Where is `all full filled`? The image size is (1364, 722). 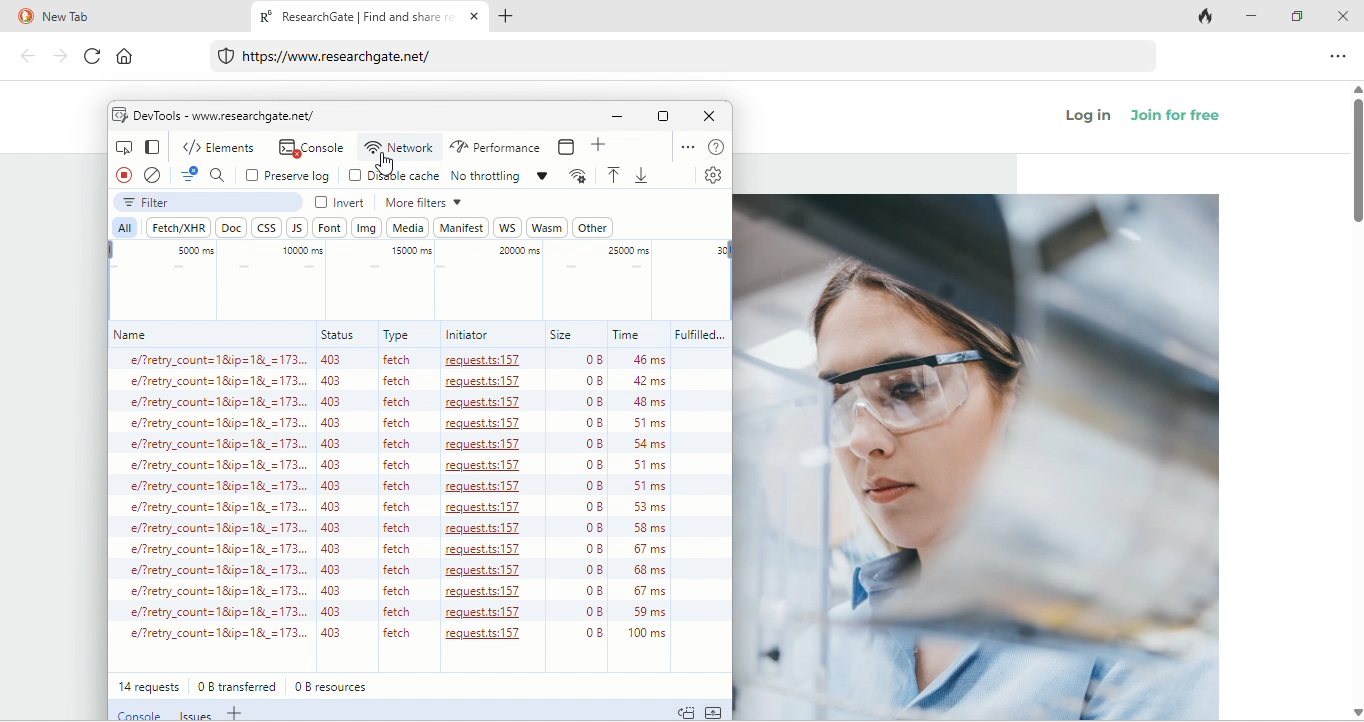 all full filled is located at coordinates (699, 511).